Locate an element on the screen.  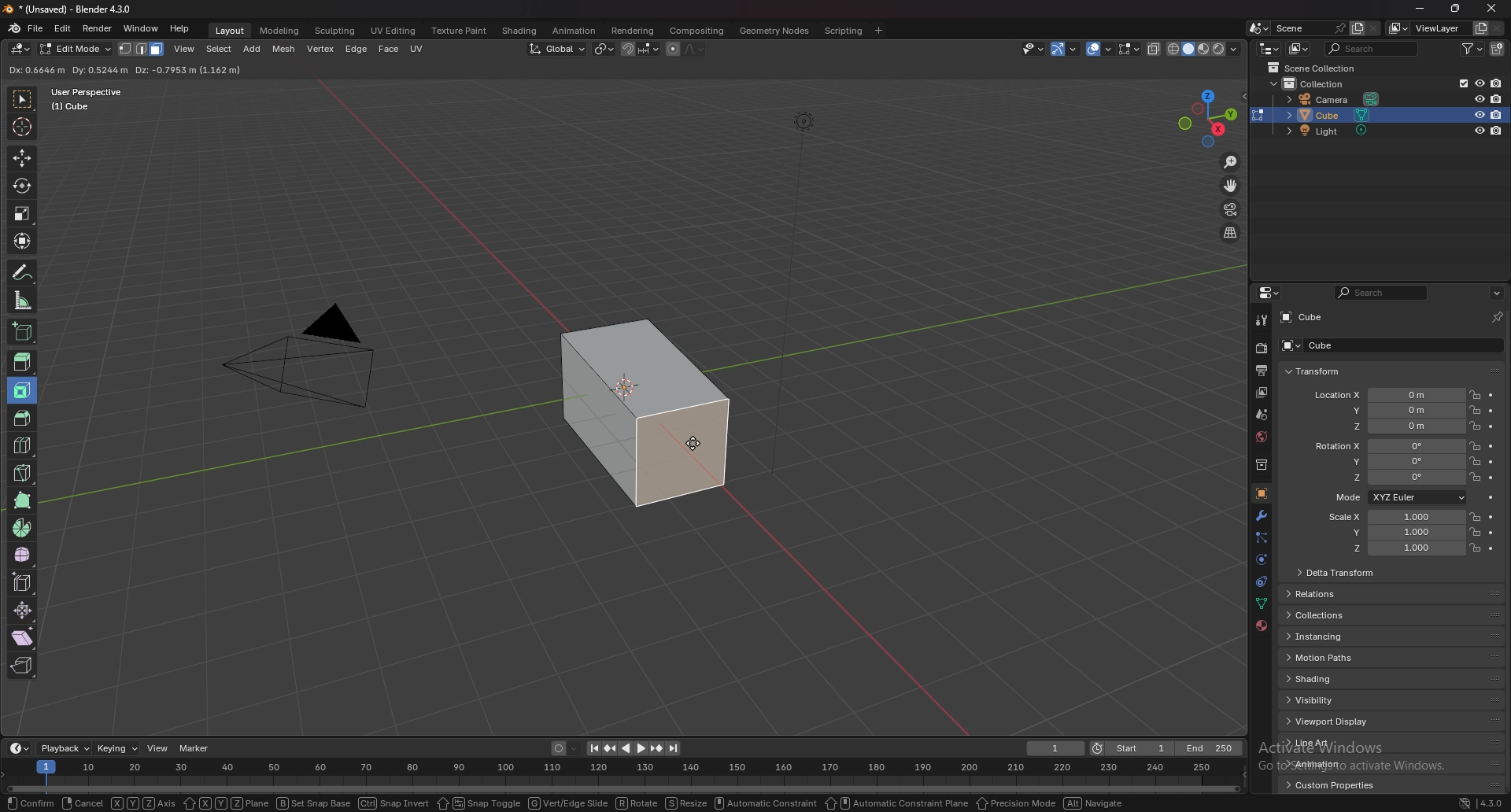
orthographic/perspective is located at coordinates (1231, 234).